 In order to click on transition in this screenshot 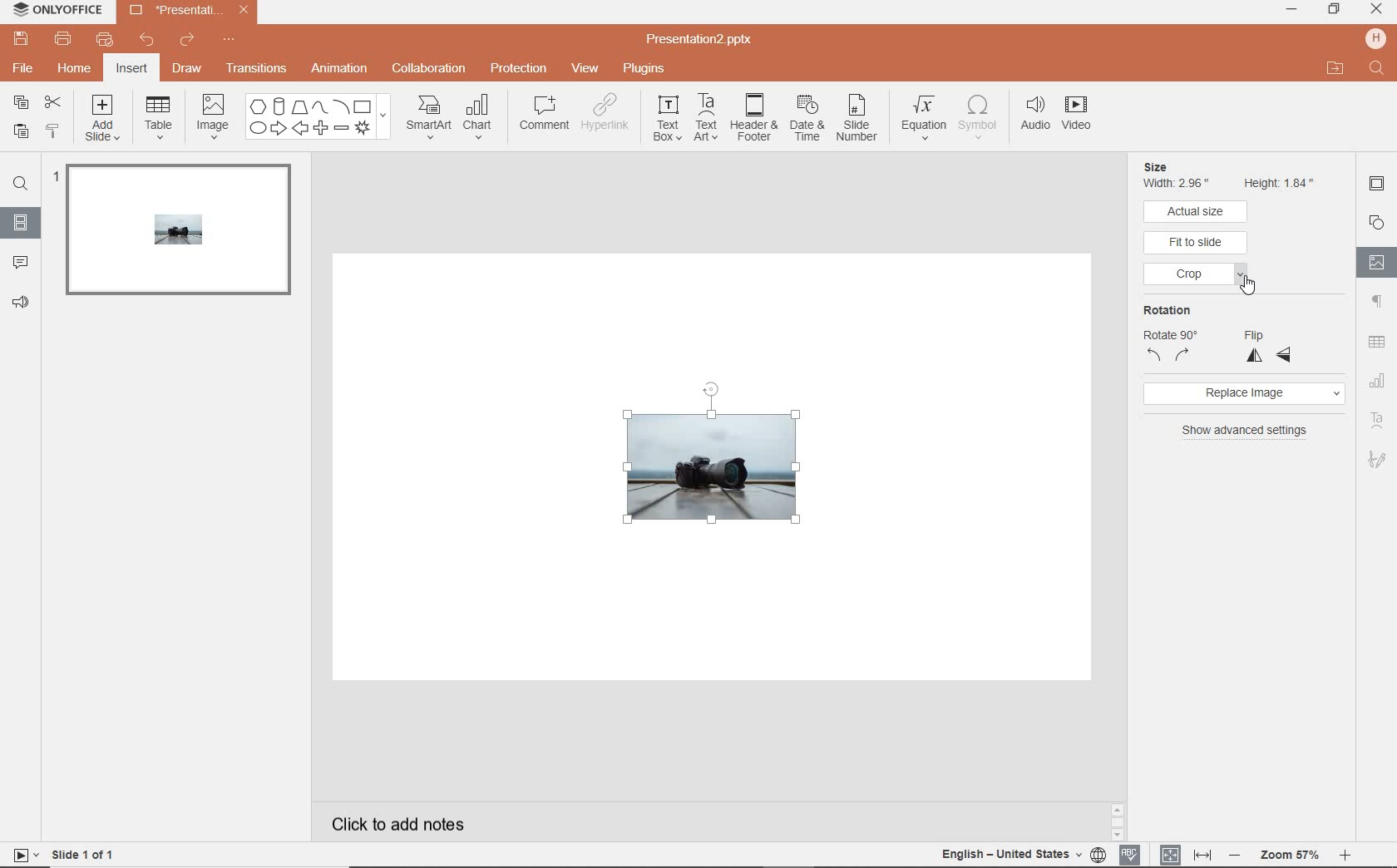, I will do `click(256, 68)`.